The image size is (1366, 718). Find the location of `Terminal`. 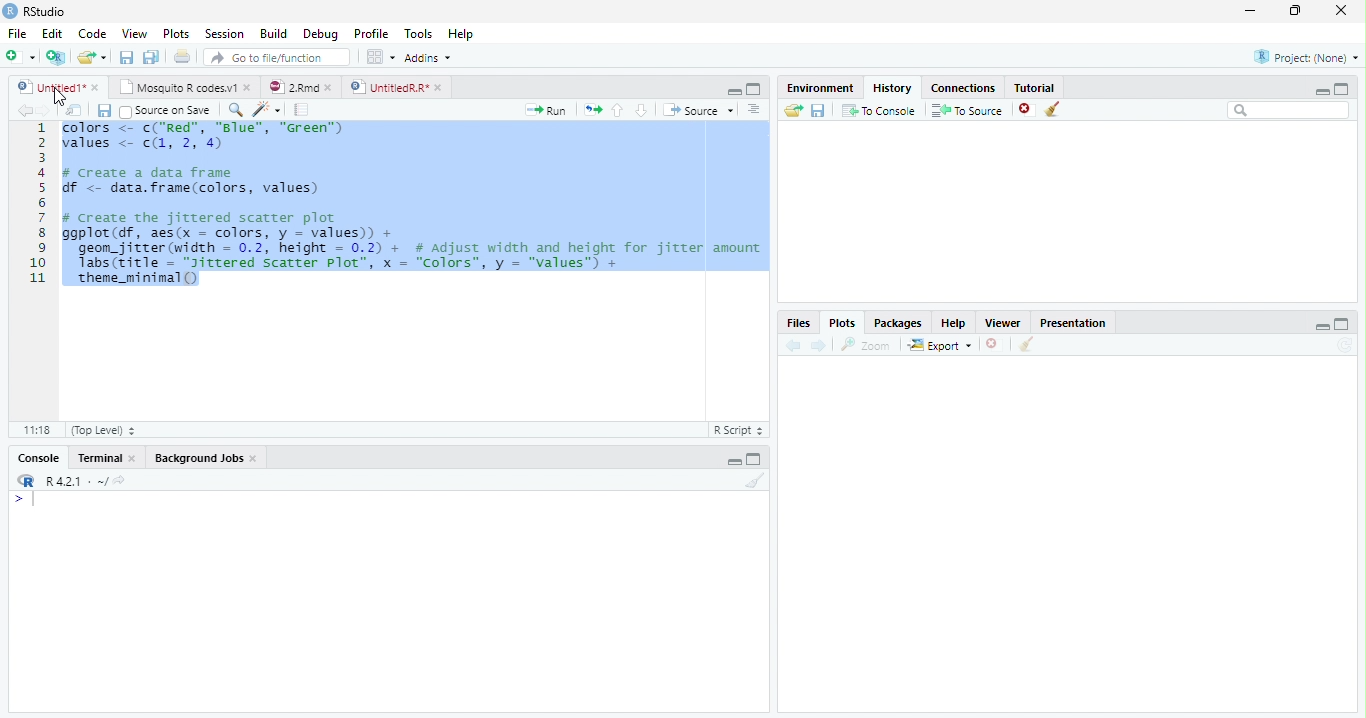

Terminal is located at coordinates (99, 458).